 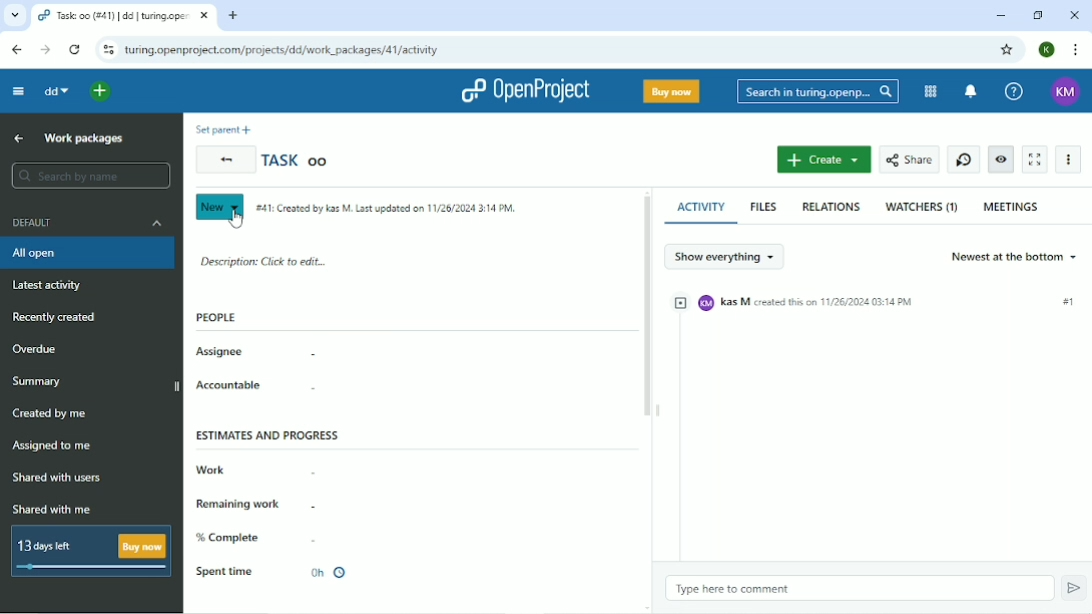 What do you see at coordinates (17, 91) in the screenshot?
I see `Collapse project menu` at bounding box center [17, 91].